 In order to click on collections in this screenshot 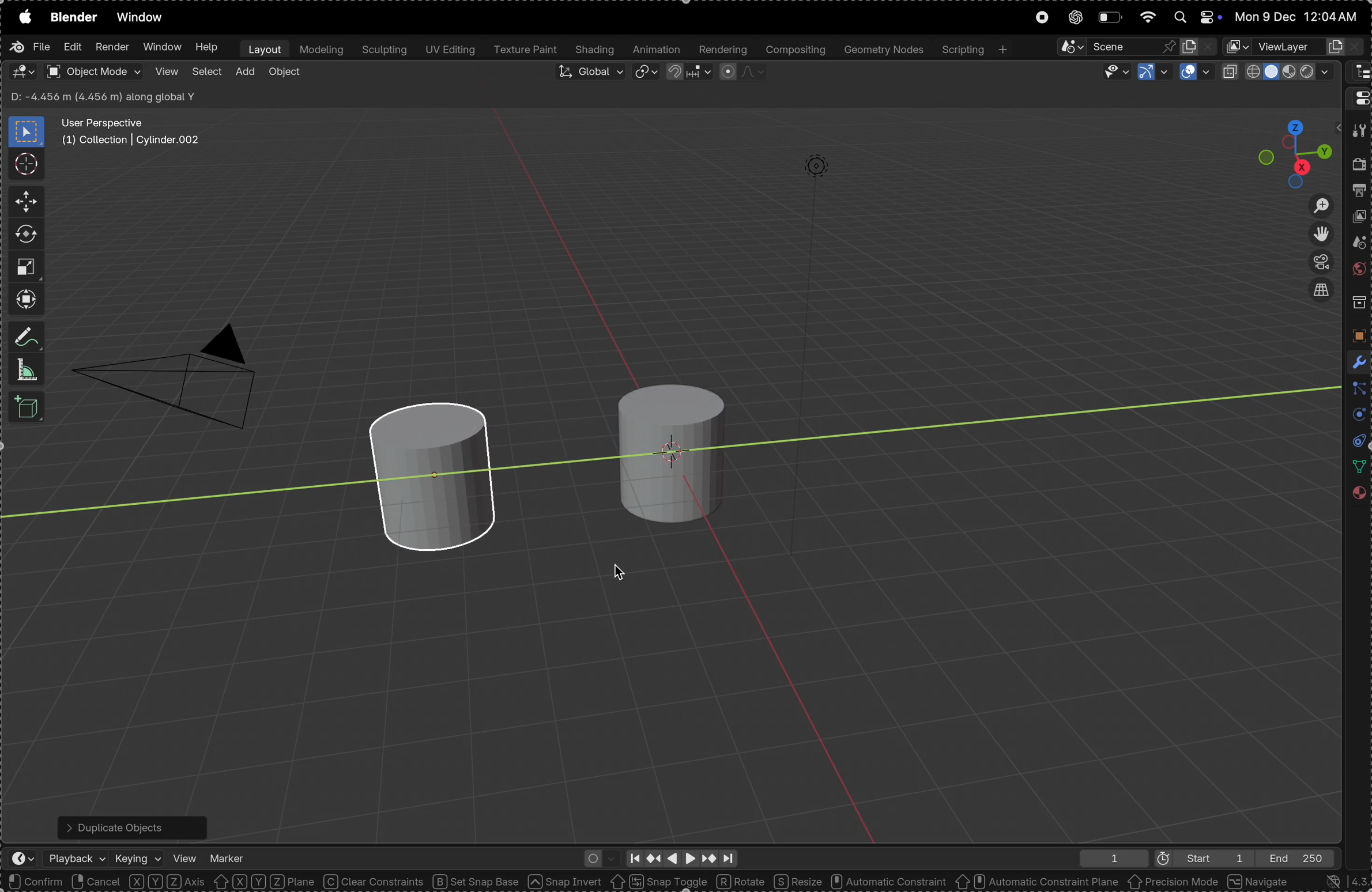, I will do `click(1358, 303)`.